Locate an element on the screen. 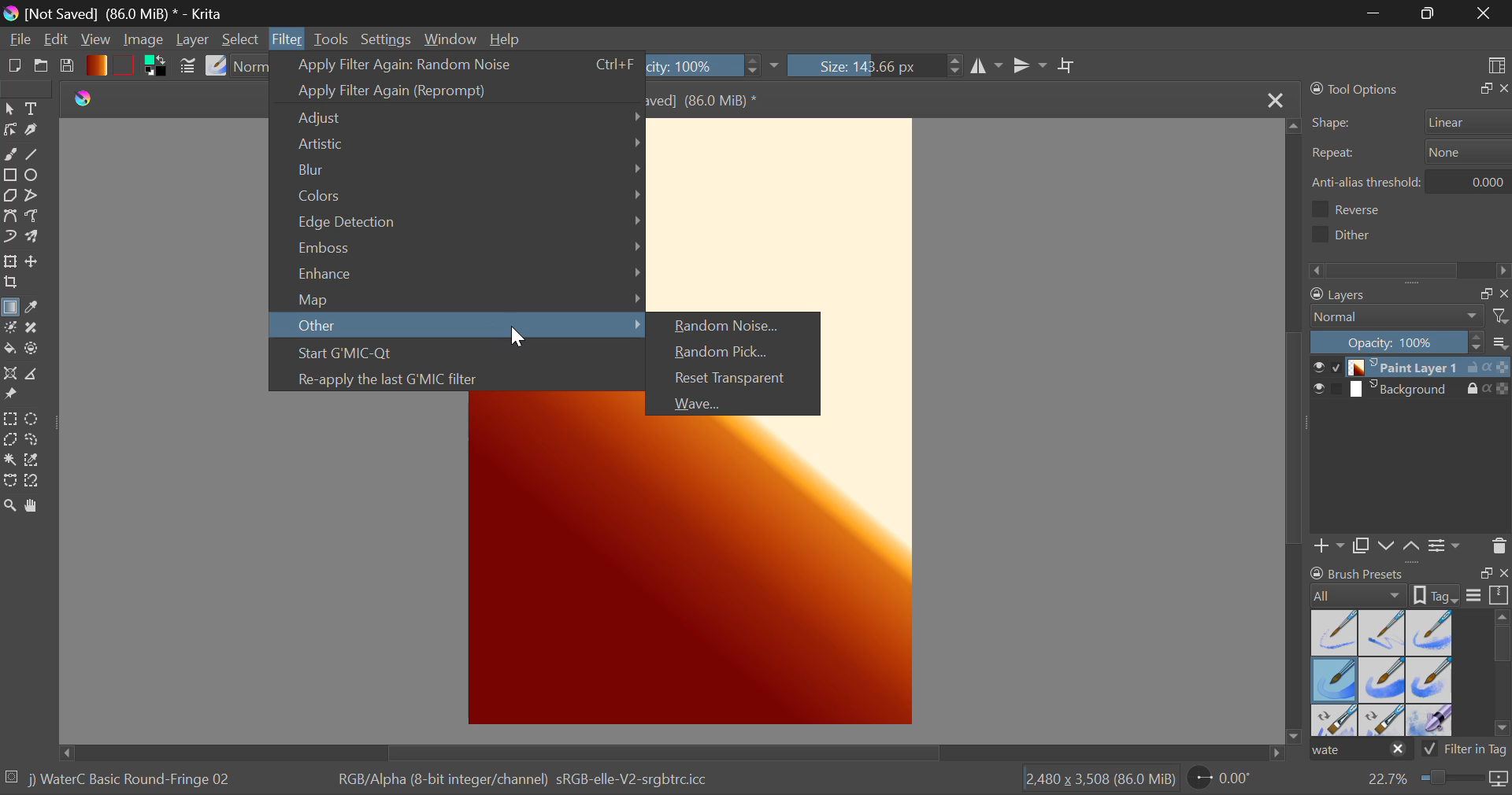 The image size is (1512, 795). Choose Workspace is located at coordinates (1495, 64).